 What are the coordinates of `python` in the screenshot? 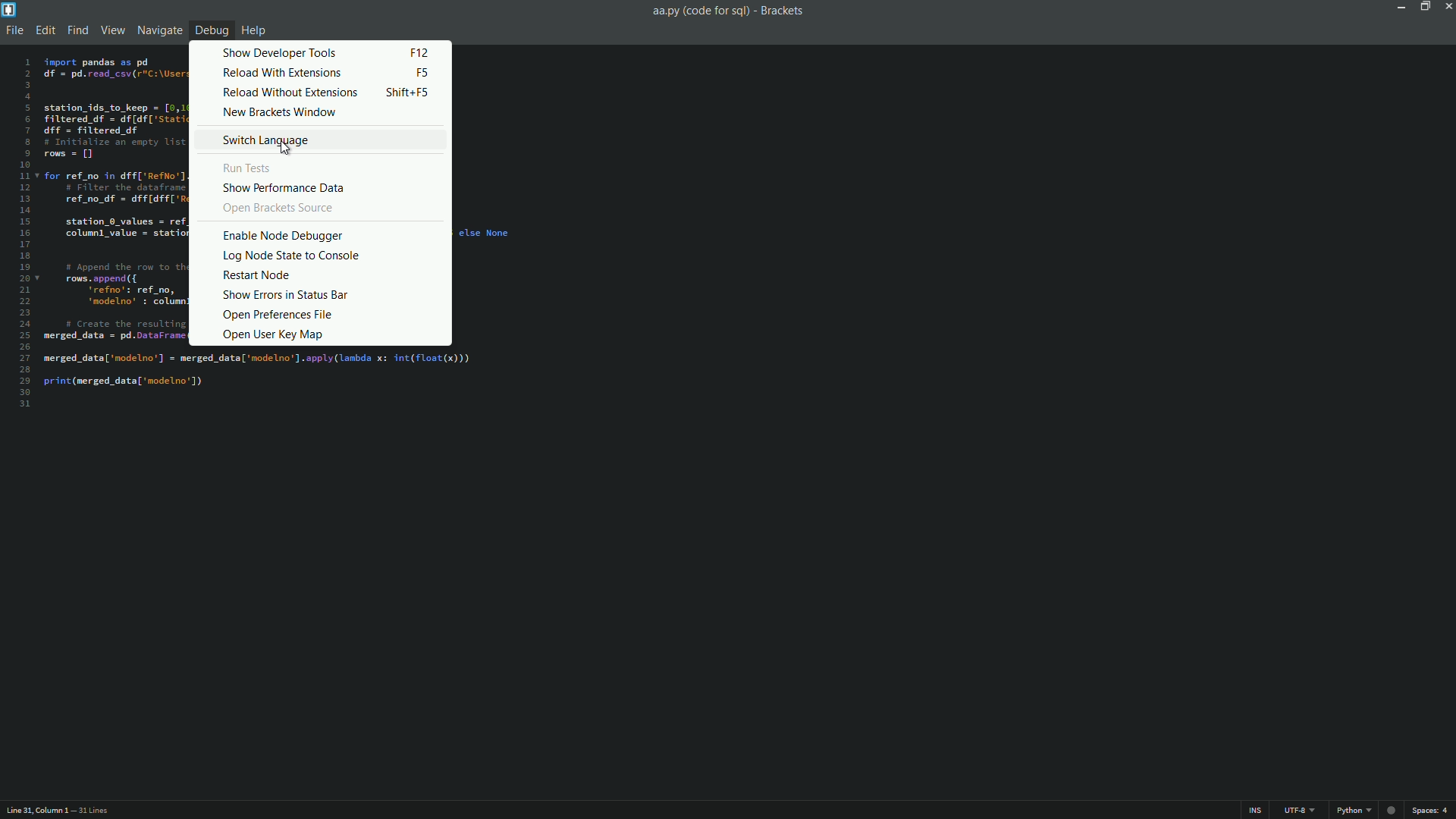 It's located at (1369, 812).